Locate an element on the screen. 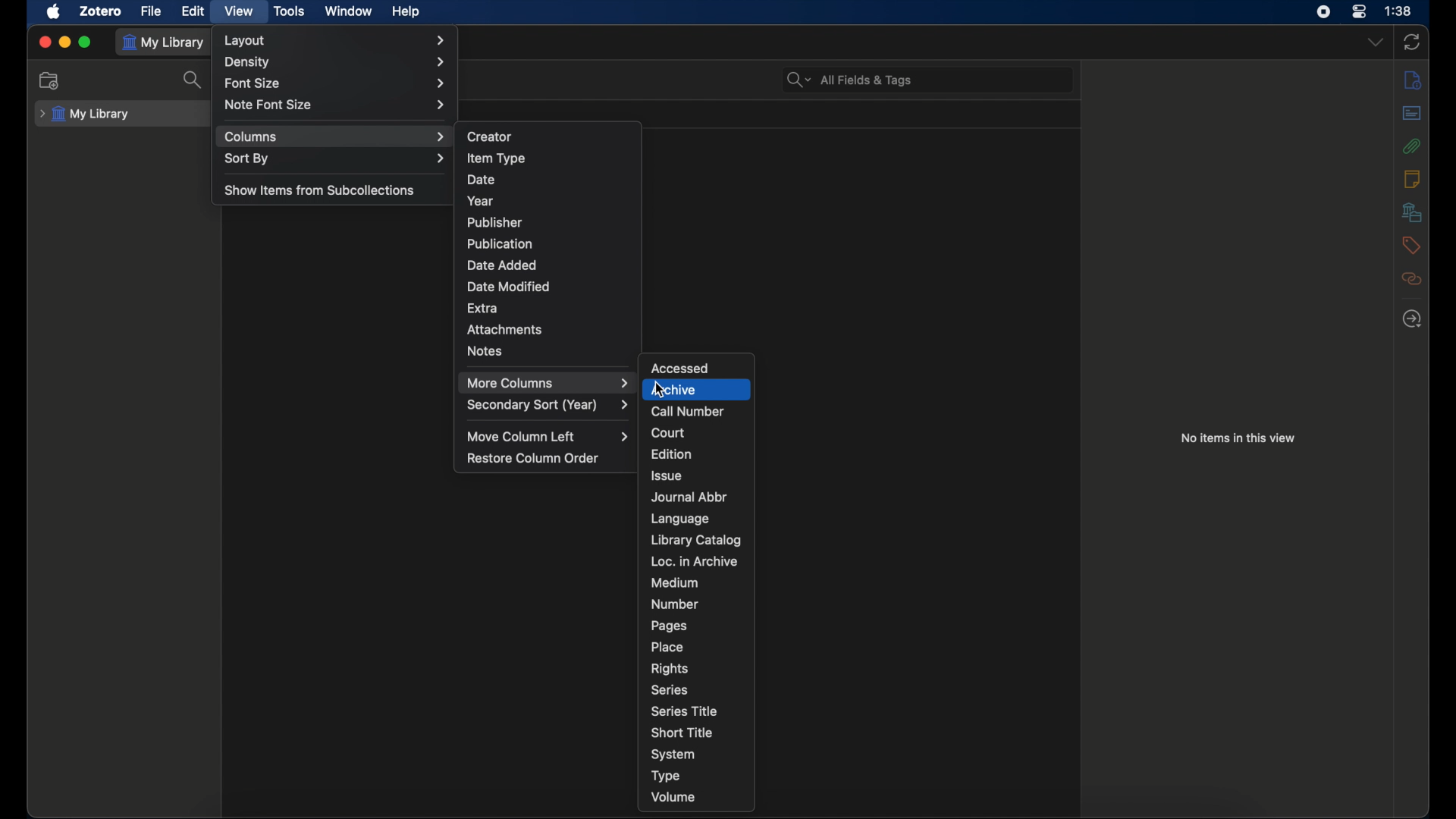 Image resolution: width=1456 pixels, height=819 pixels. journal abbr is located at coordinates (691, 497).